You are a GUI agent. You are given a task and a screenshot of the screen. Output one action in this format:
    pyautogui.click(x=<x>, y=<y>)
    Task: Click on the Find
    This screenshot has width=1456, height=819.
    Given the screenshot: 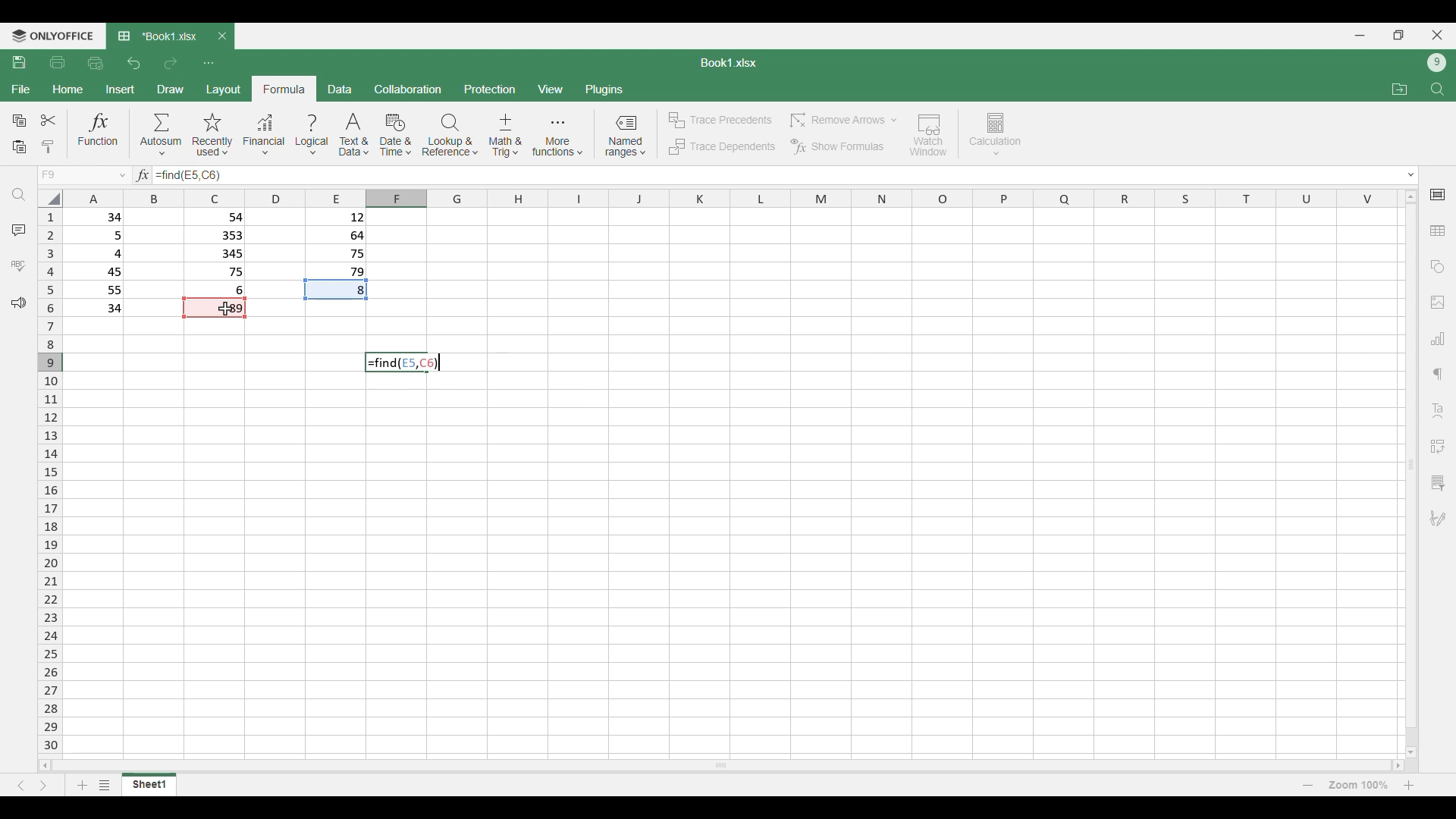 What is the action you would take?
    pyautogui.click(x=1437, y=89)
    